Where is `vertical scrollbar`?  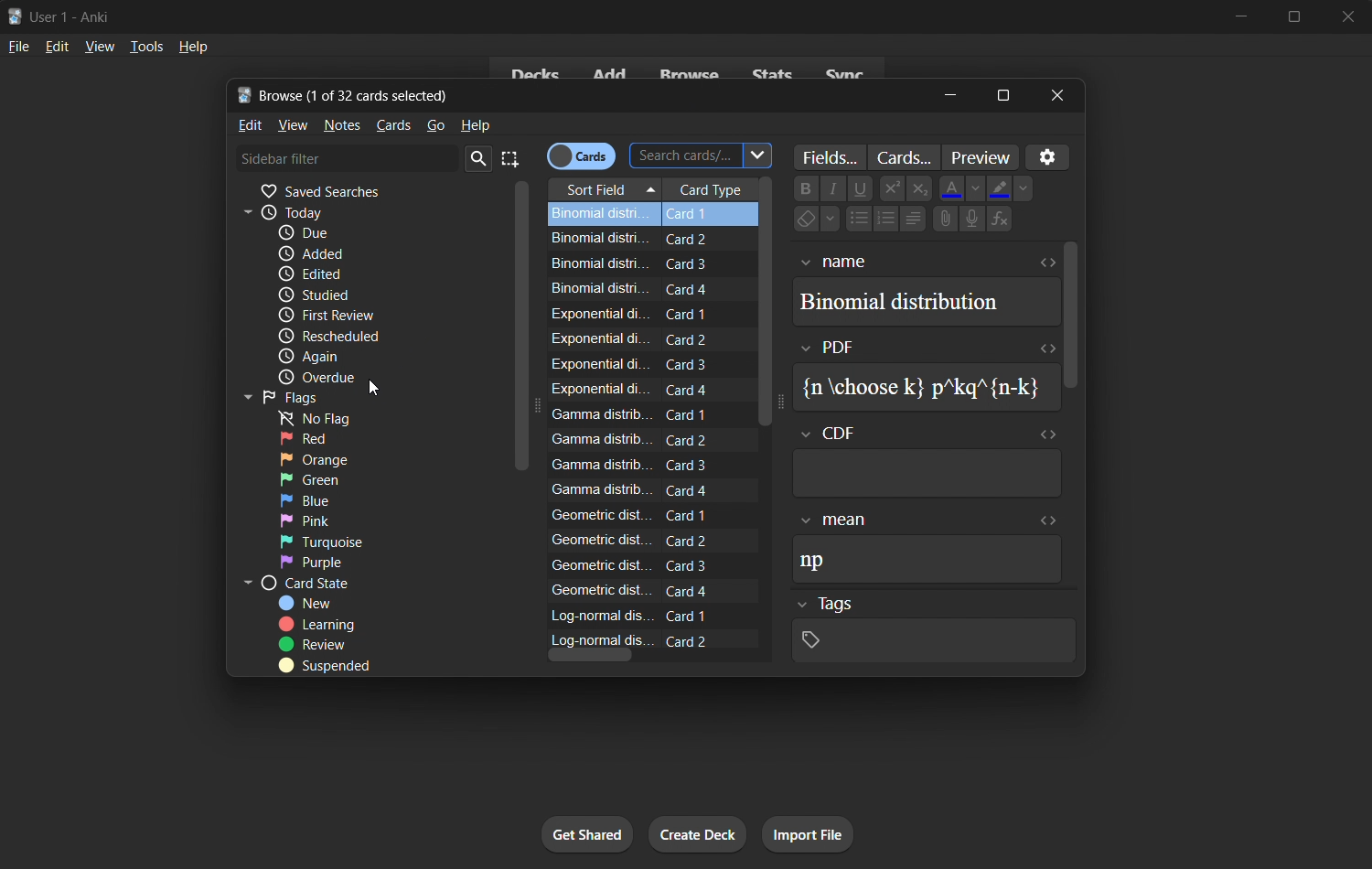
vertical scrollbar is located at coordinates (525, 413).